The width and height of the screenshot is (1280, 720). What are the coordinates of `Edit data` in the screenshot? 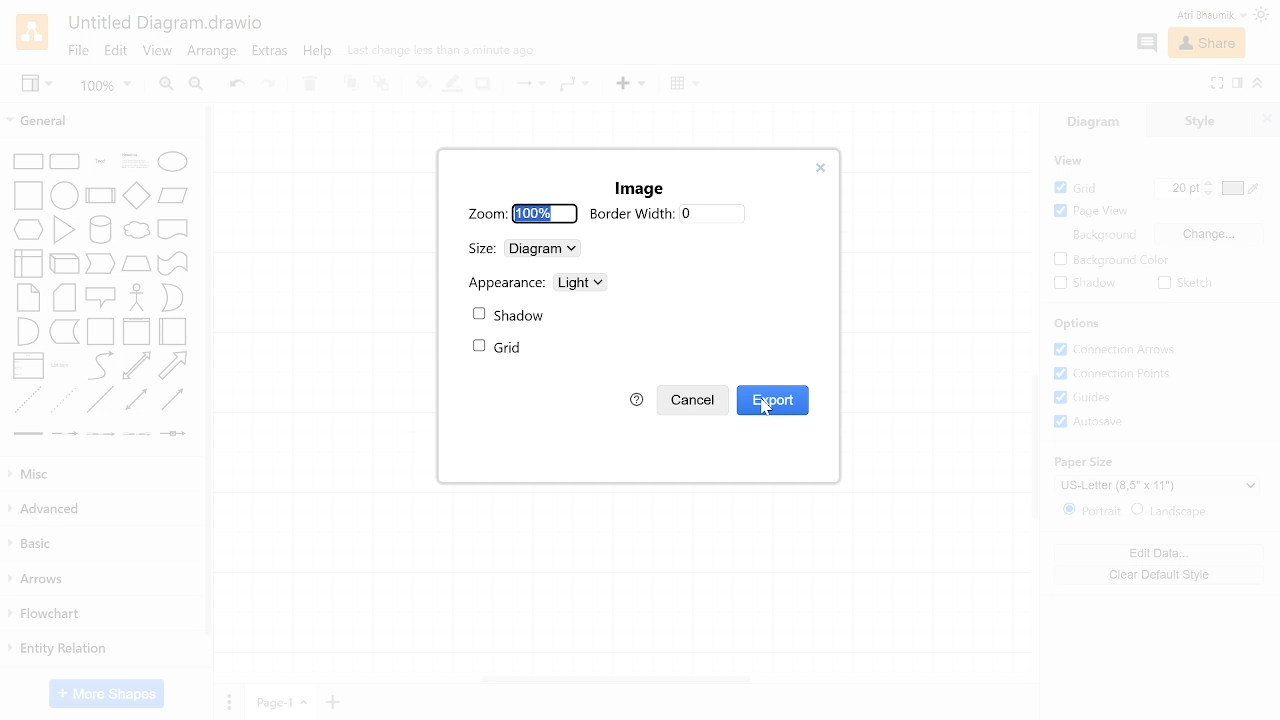 It's located at (1155, 551).